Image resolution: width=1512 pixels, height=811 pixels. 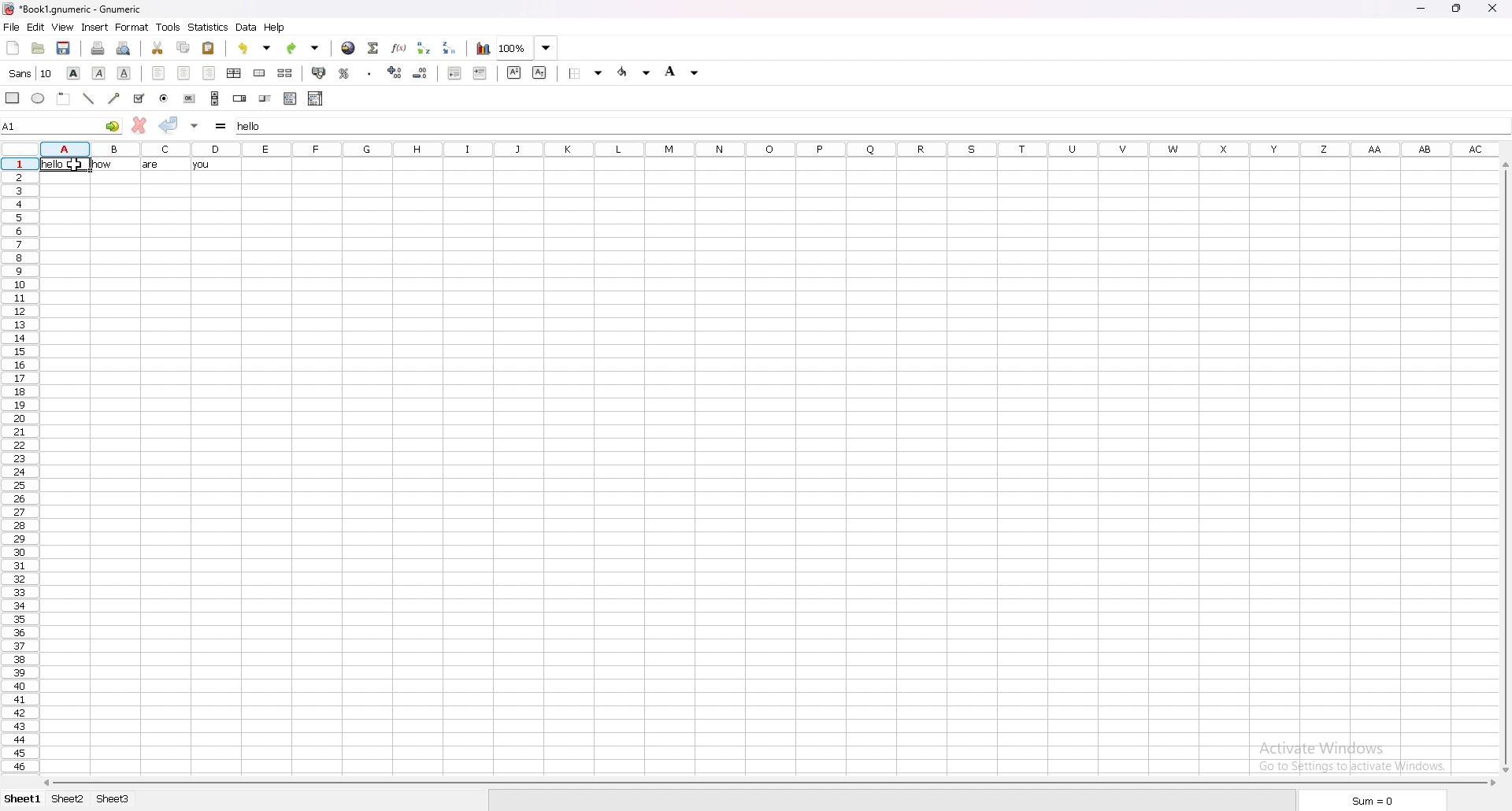 I want to click on minimize, so click(x=1425, y=7).